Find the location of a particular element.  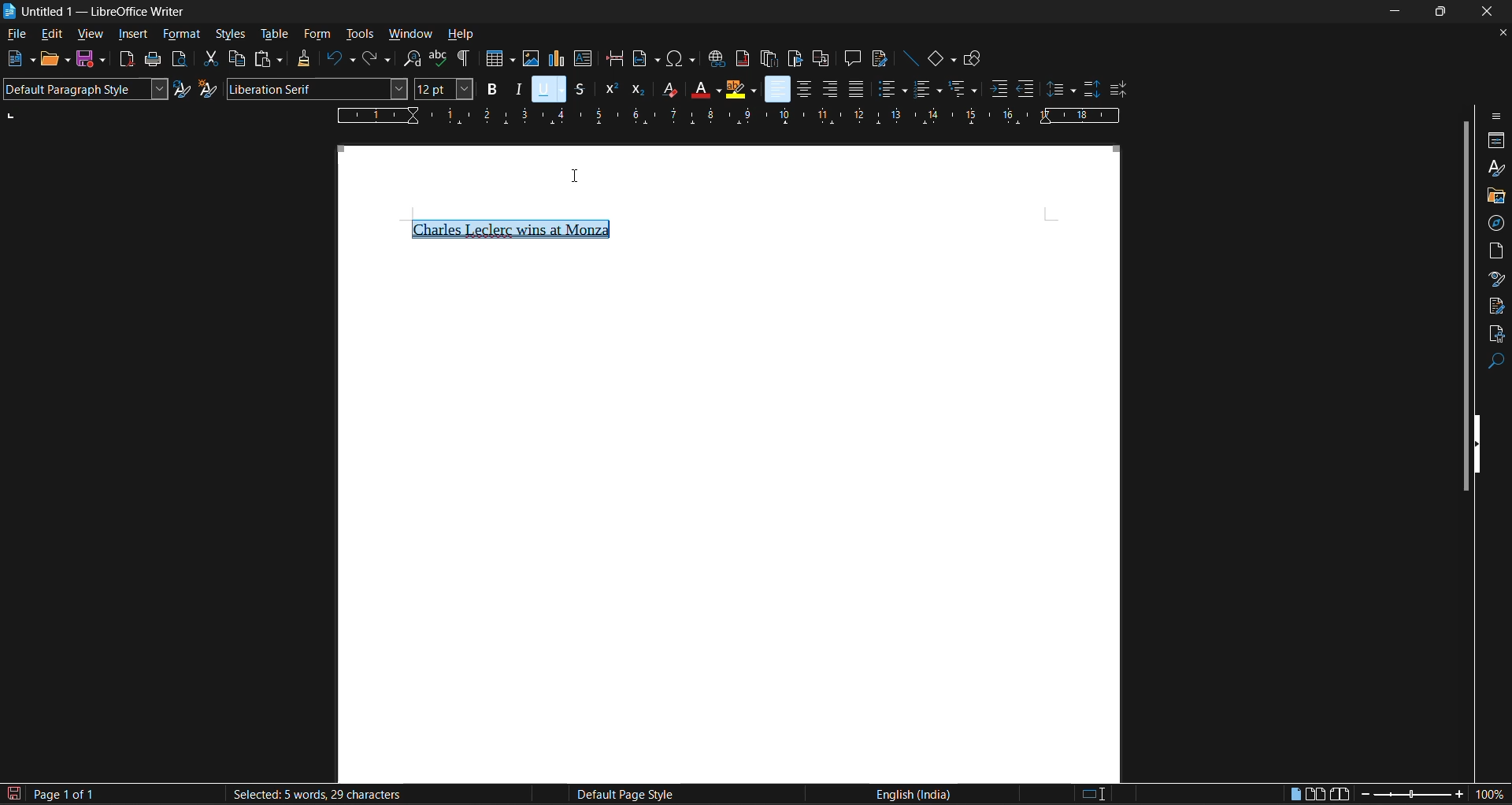

redo is located at coordinates (378, 59).